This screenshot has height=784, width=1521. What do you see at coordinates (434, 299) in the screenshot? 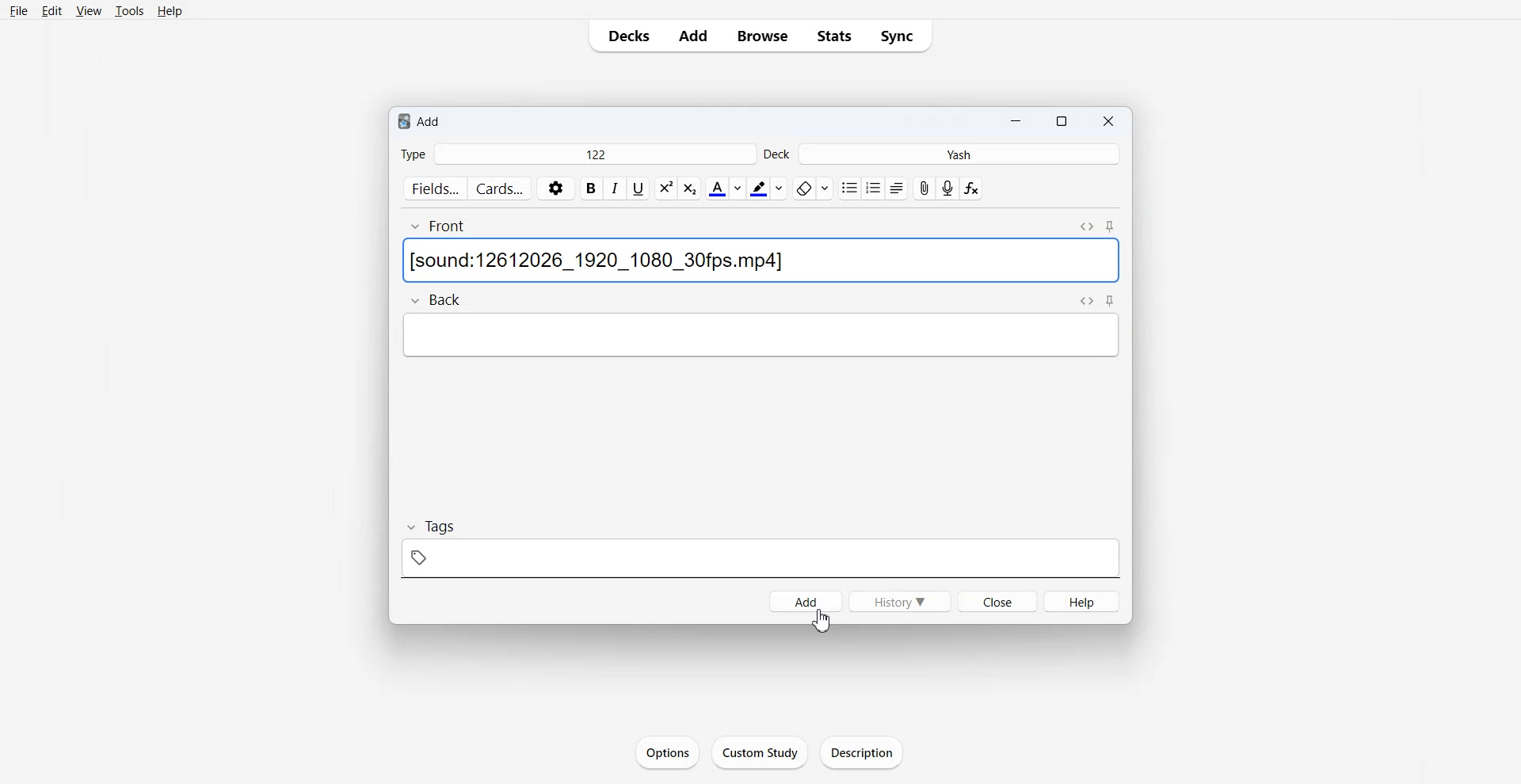
I see `Back` at bounding box center [434, 299].